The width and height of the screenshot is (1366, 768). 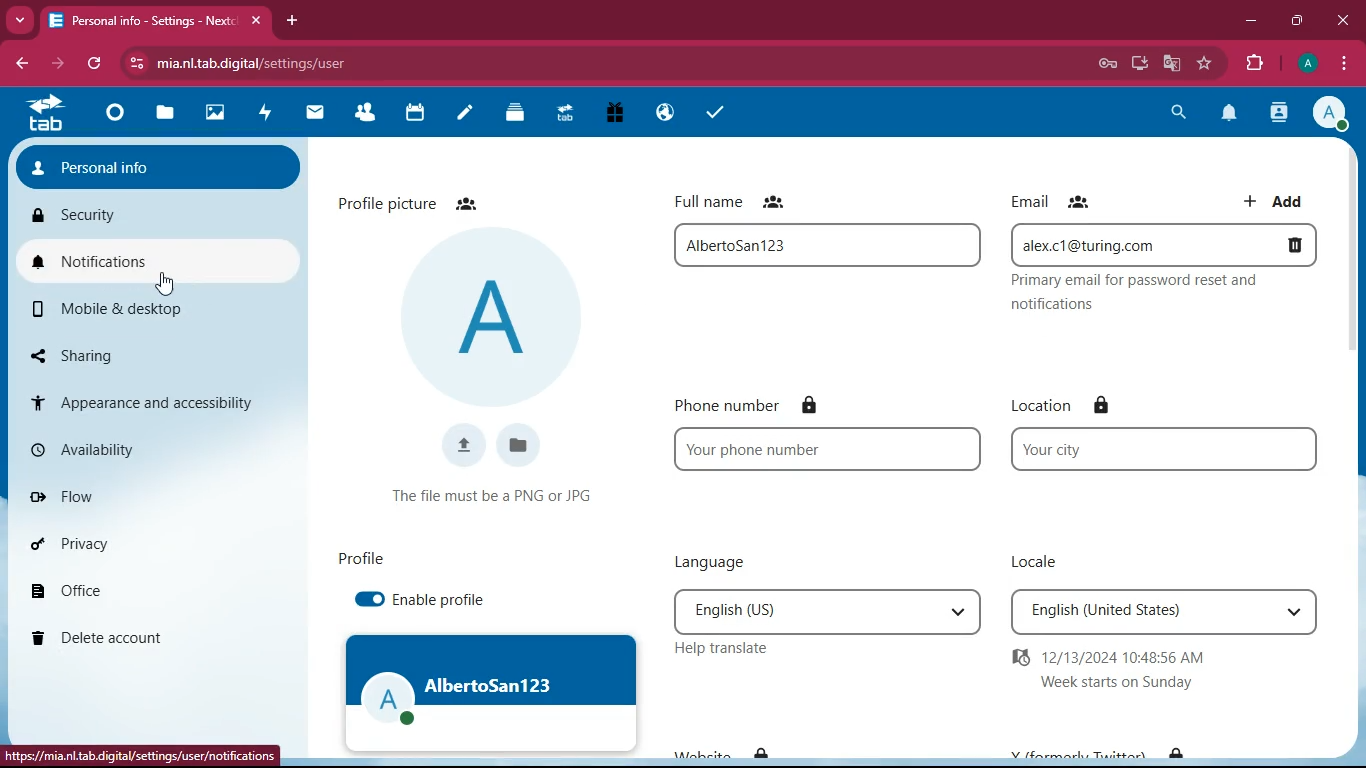 I want to click on contacts, so click(x=1277, y=115).